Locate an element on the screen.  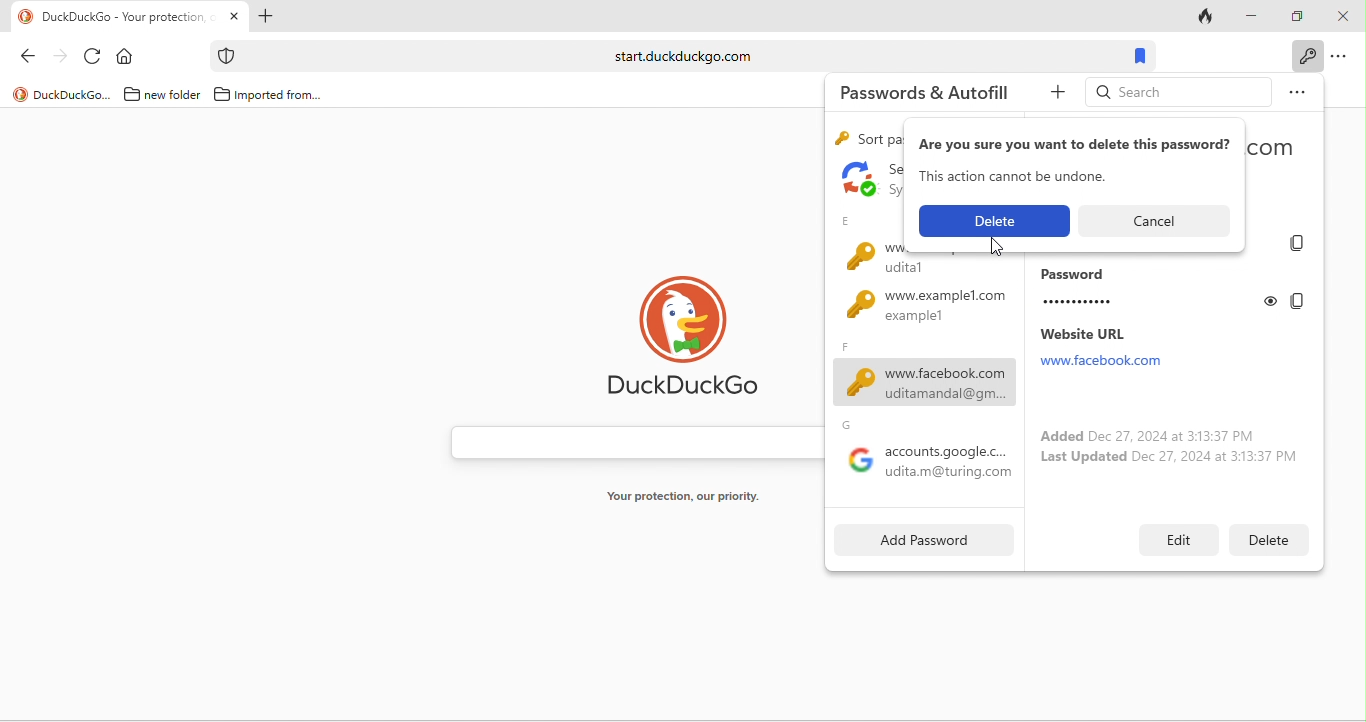
track tab is located at coordinates (1207, 20).